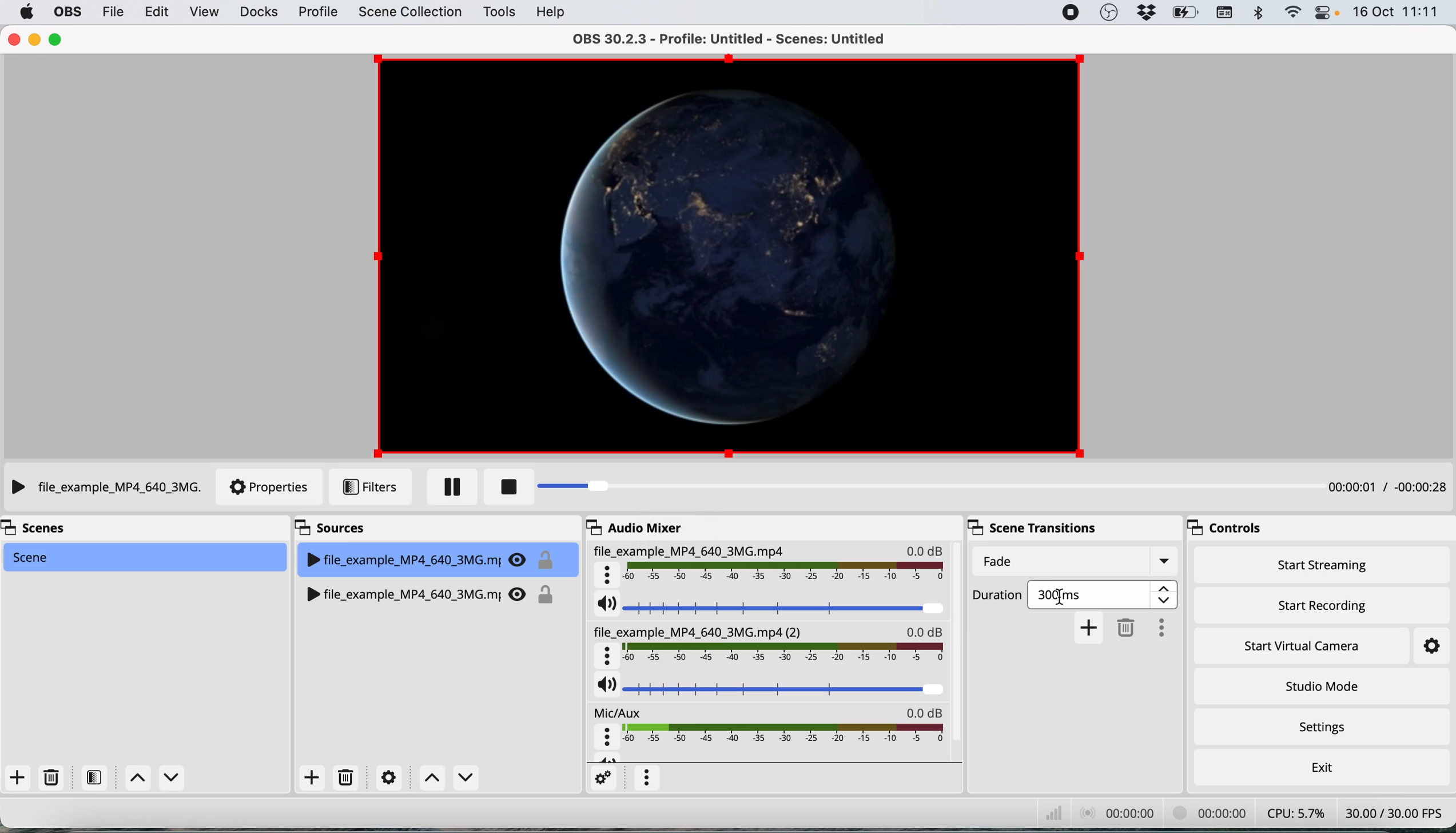 This screenshot has width=1456, height=833. What do you see at coordinates (344, 776) in the screenshot?
I see `delete source` at bounding box center [344, 776].